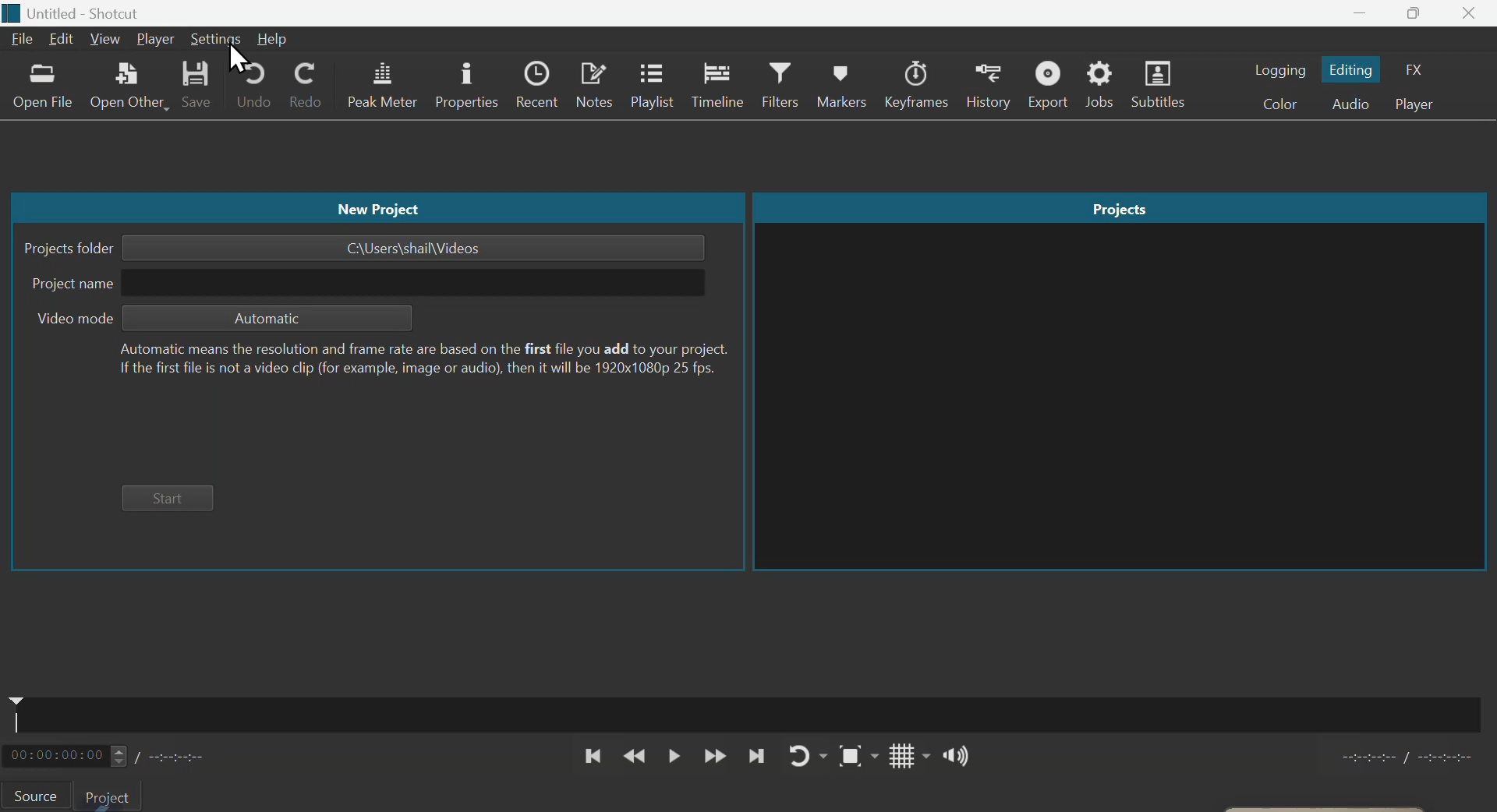  I want to click on Audio, so click(1351, 104).